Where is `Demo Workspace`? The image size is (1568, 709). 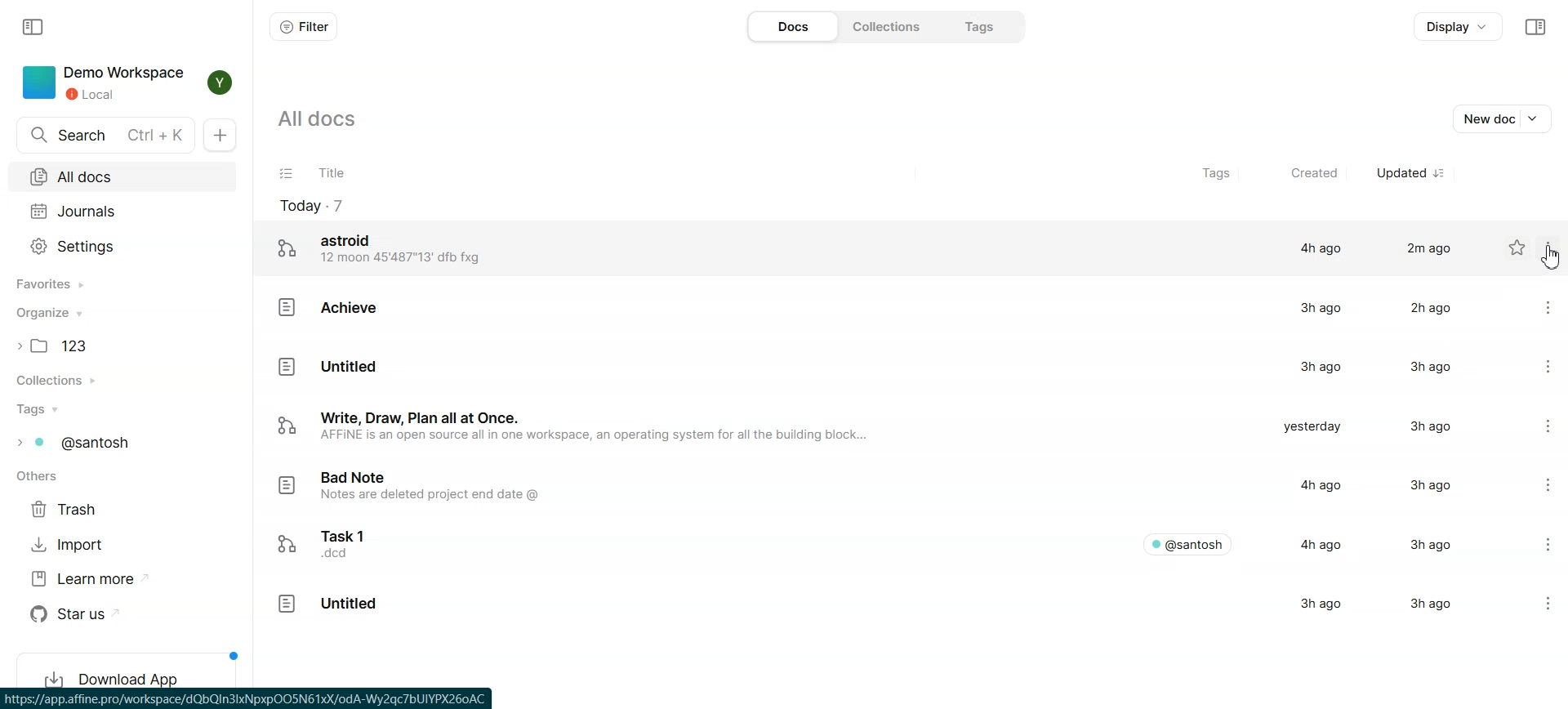
Demo Workspace is located at coordinates (101, 83).